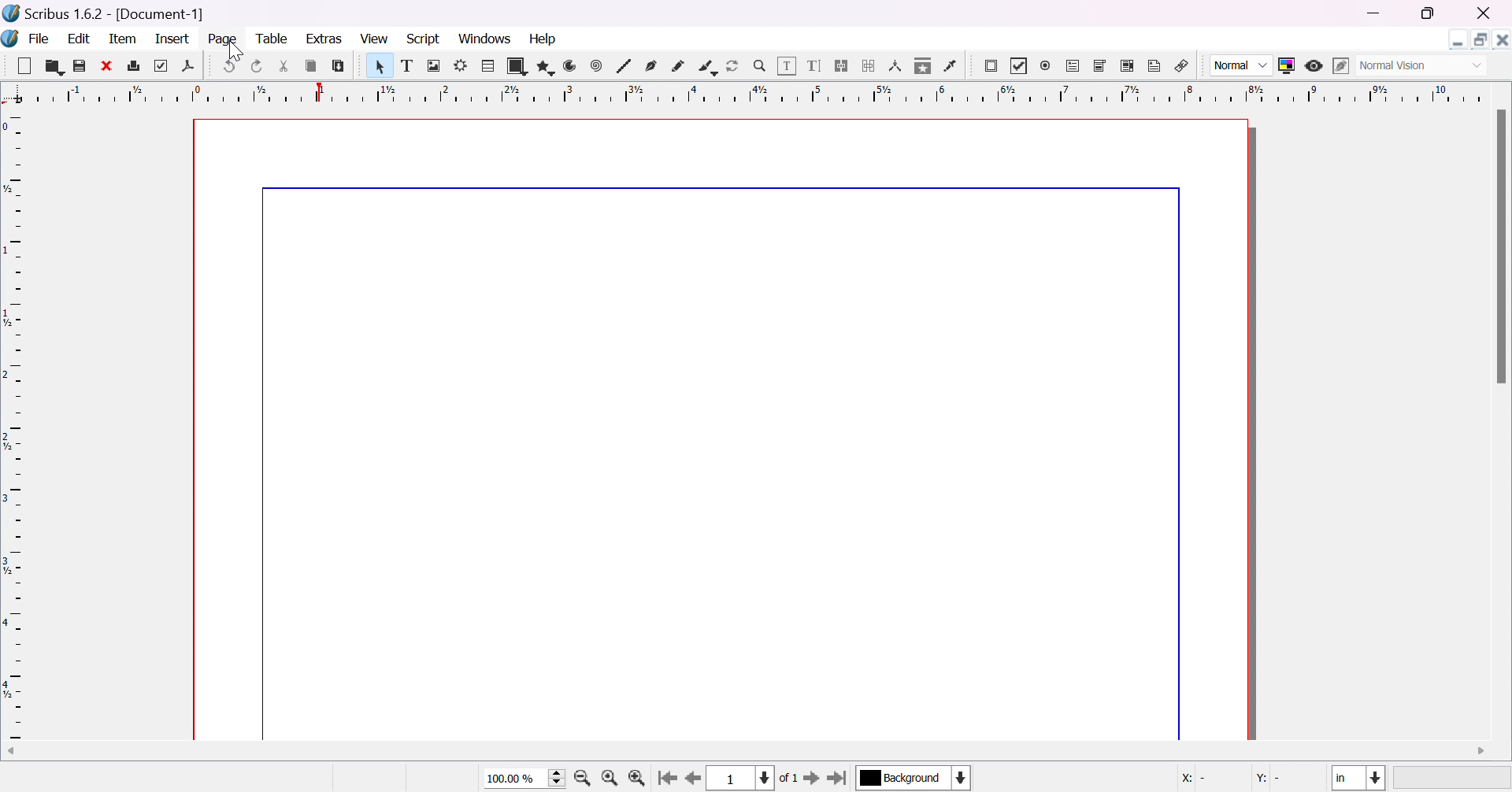  Describe the element at coordinates (79, 39) in the screenshot. I see `edit` at that location.